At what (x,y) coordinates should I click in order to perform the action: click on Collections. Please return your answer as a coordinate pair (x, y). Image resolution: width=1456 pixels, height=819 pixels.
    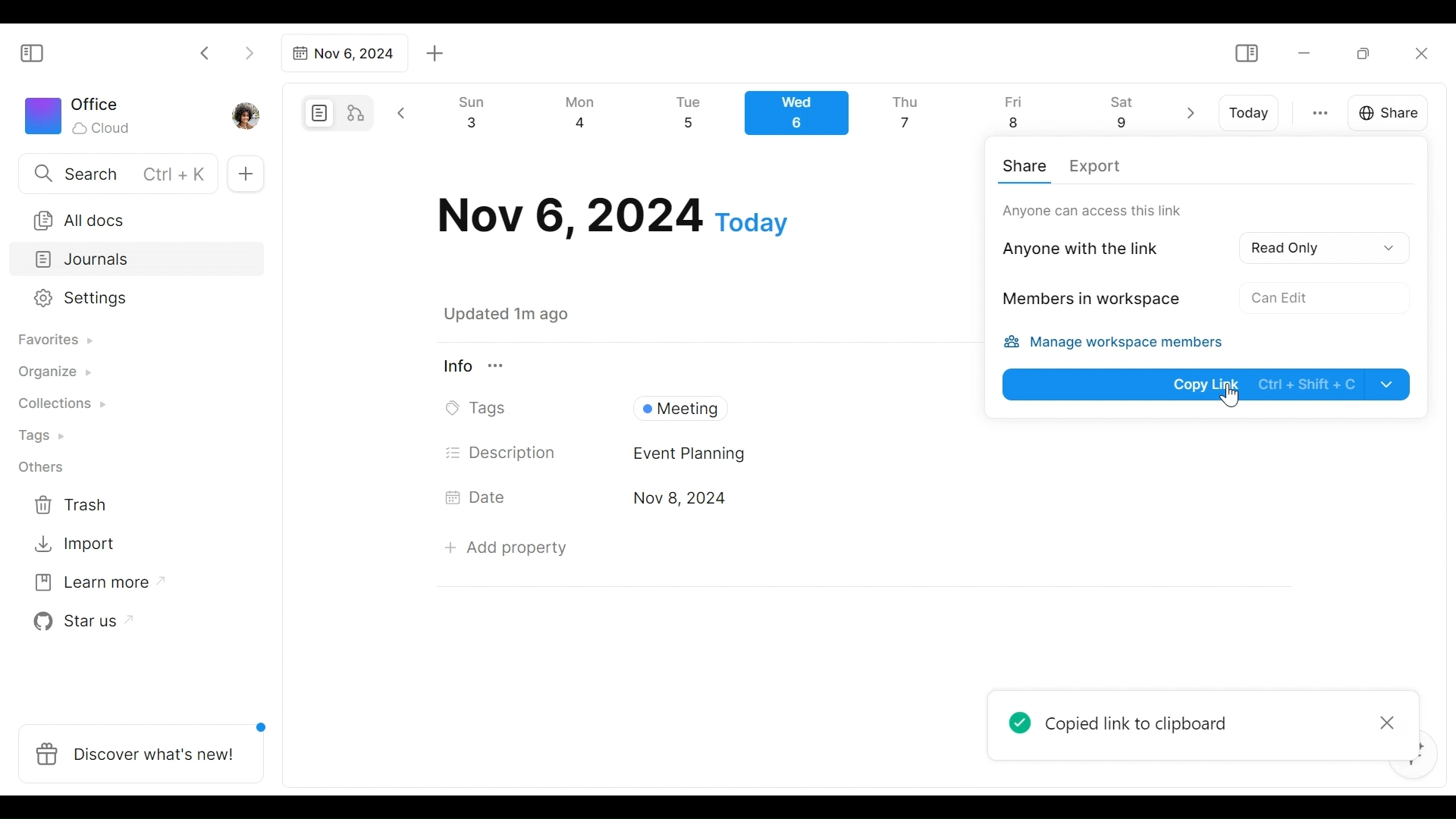
    Looking at the image, I should click on (60, 406).